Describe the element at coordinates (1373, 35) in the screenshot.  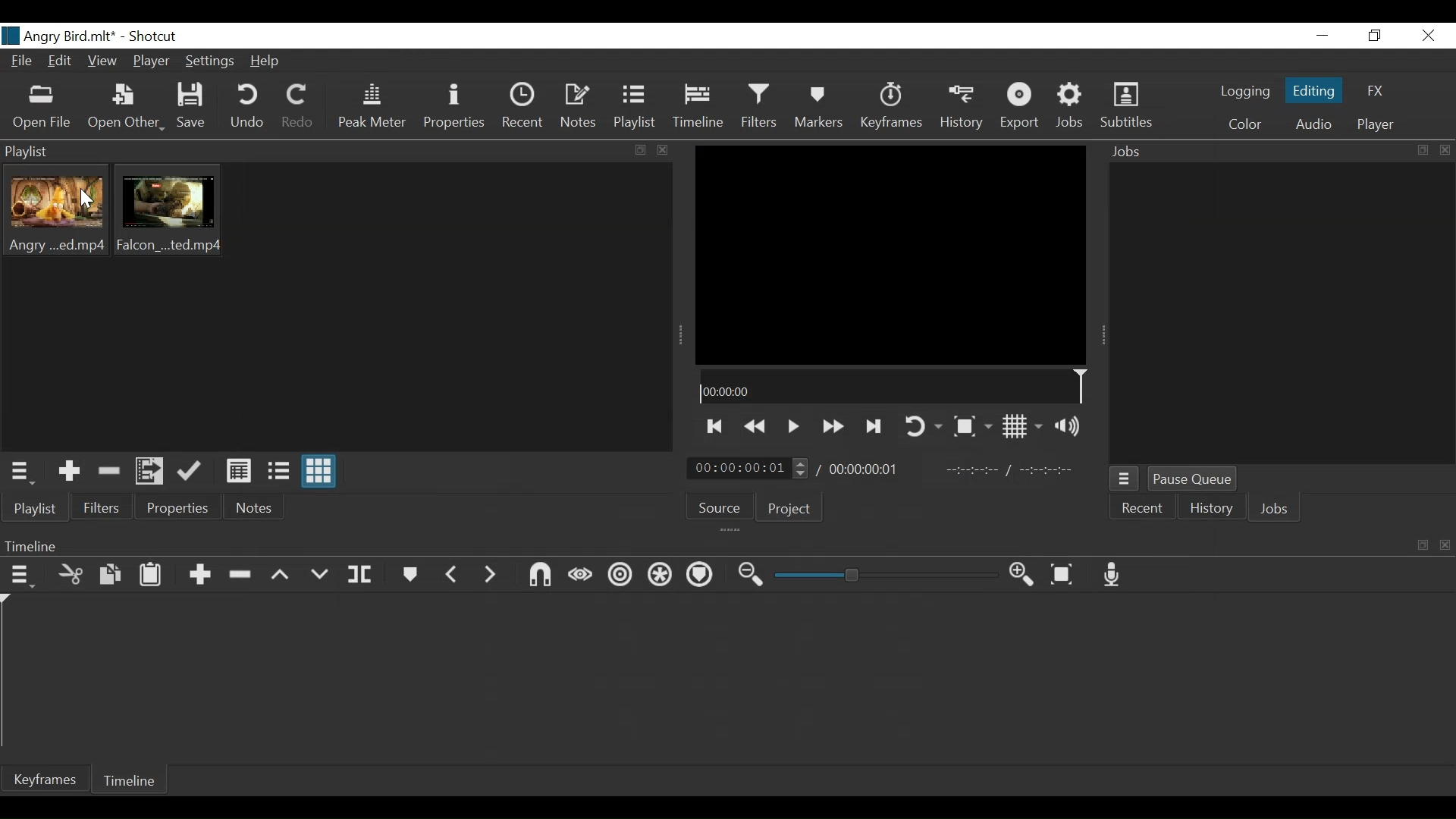
I see `Restore` at that location.